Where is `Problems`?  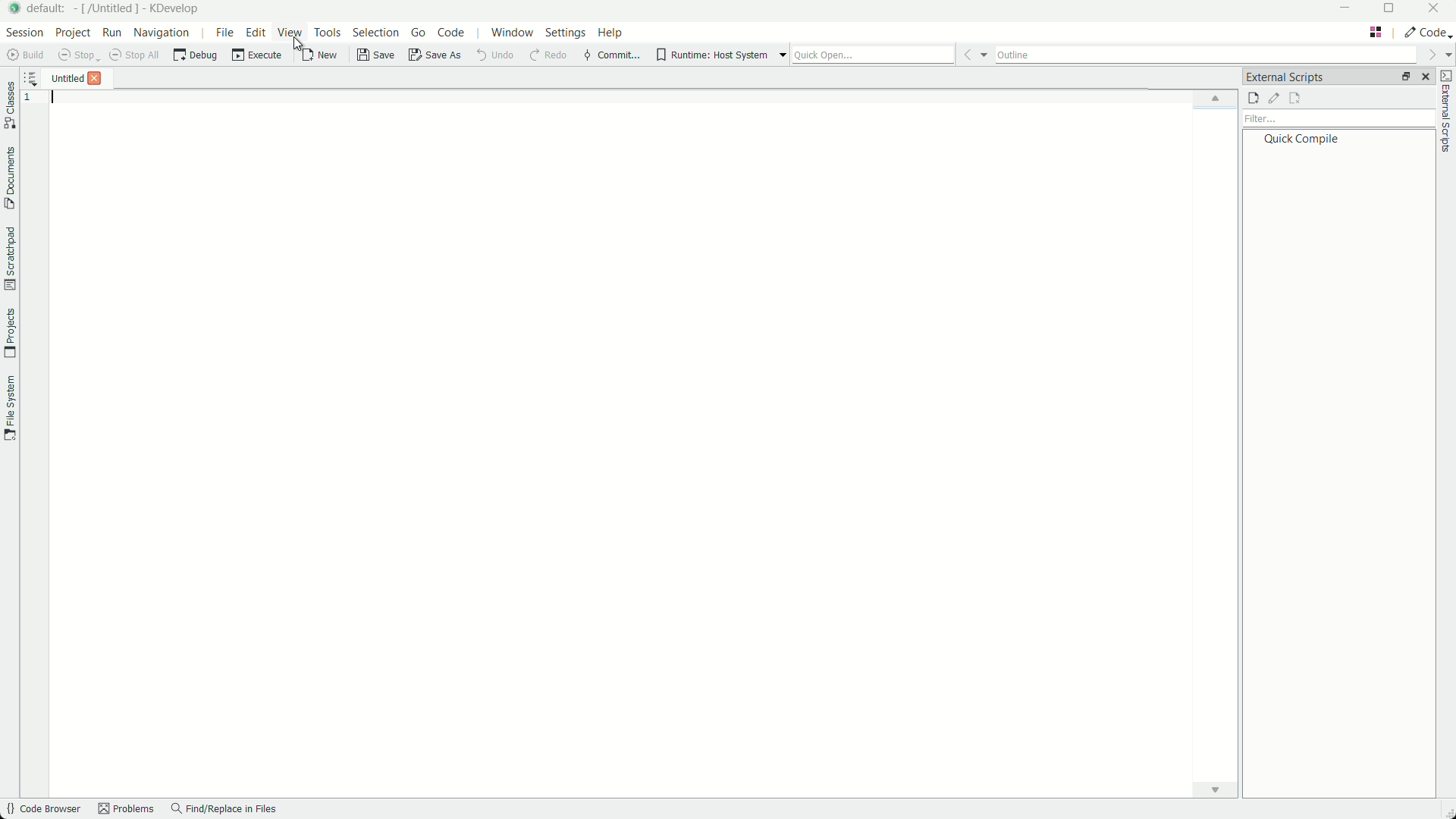 Problems is located at coordinates (128, 811).